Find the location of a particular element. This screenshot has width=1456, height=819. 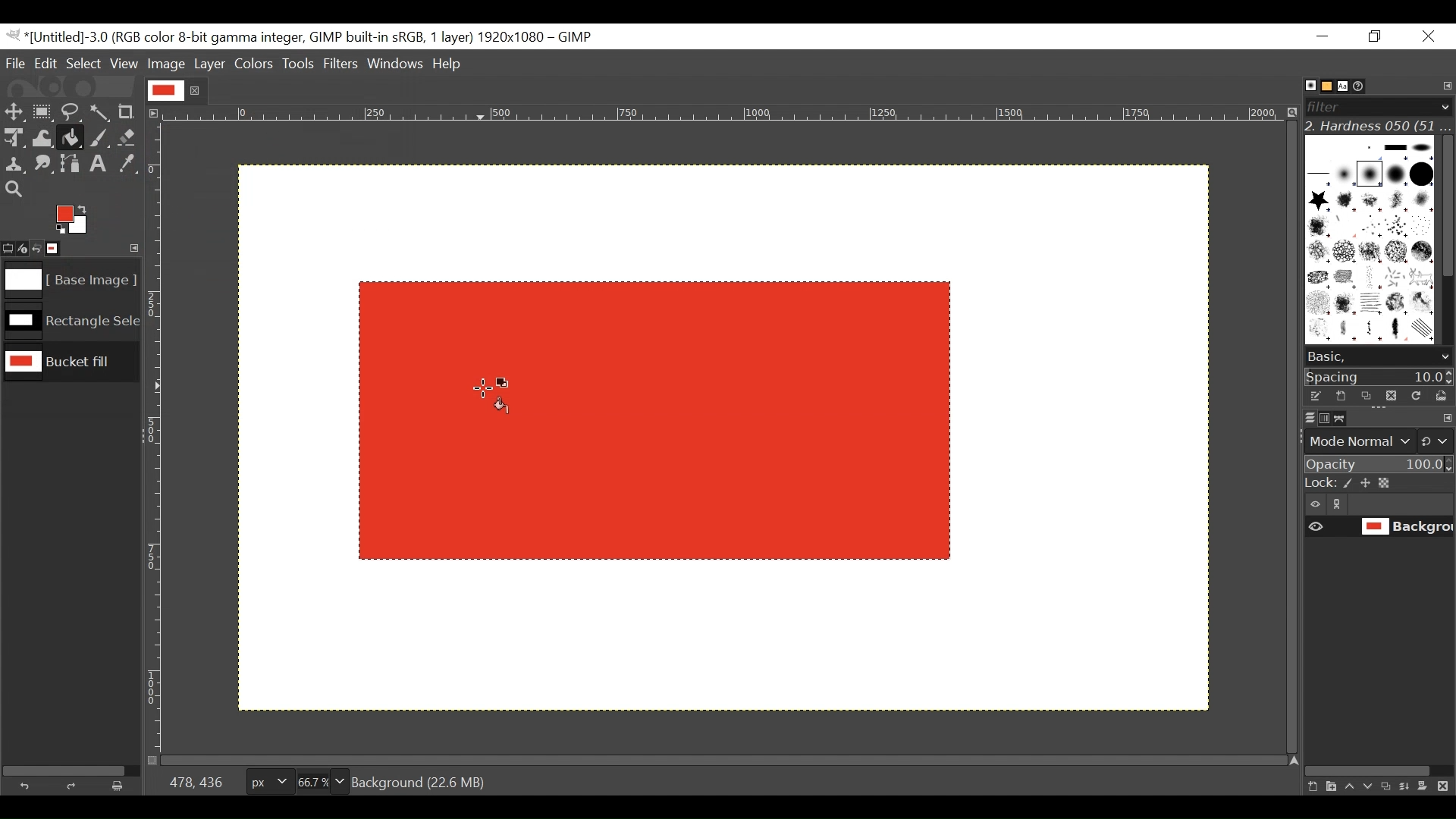

Text tool is located at coordinates (101, 165).